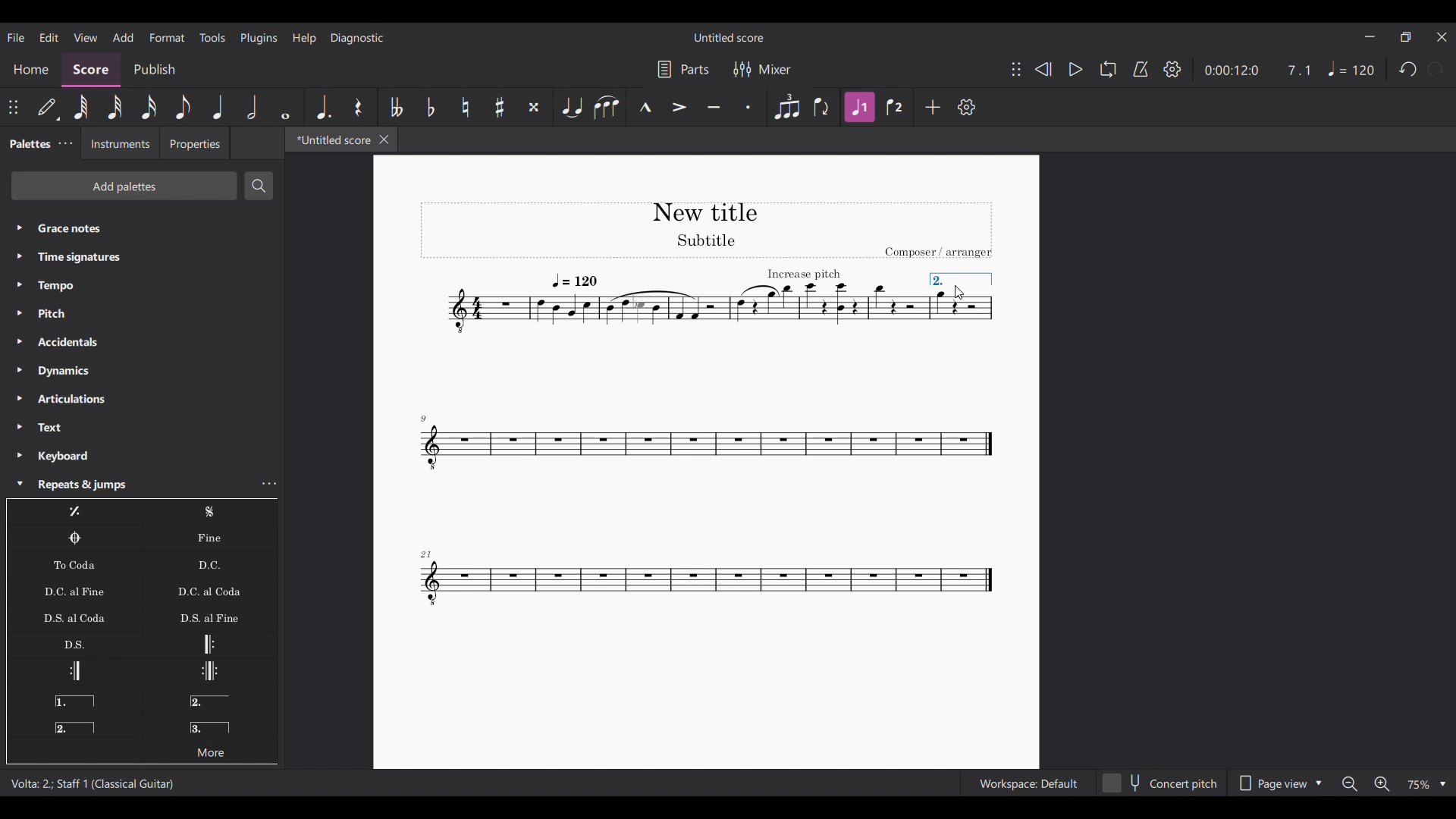  Describe the element at coordinates (1043, 70) in the screenshot. I see `Rewind` at that location.